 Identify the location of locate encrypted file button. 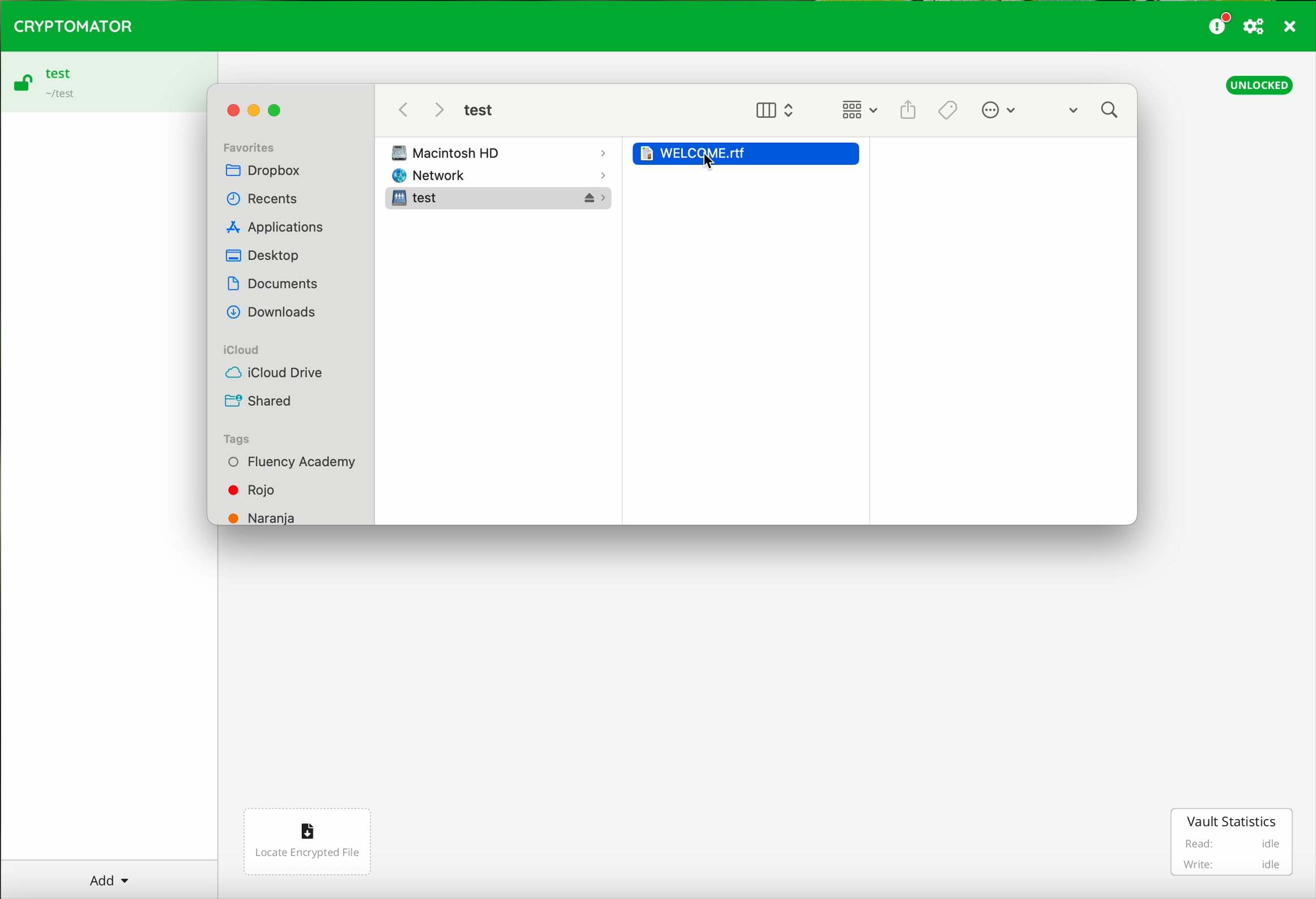
(306, 842).